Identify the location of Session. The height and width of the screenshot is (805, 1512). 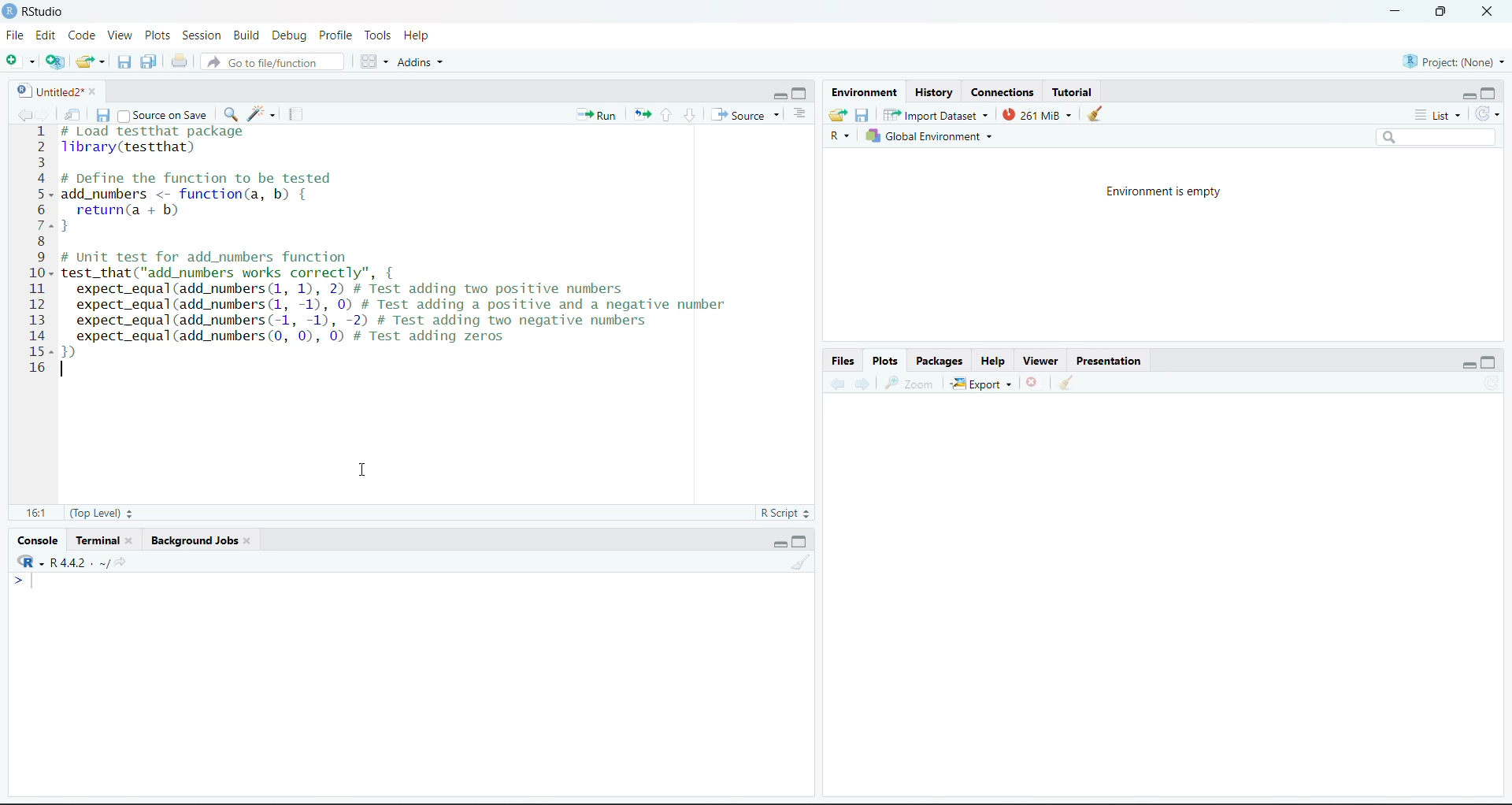
(202, 35).